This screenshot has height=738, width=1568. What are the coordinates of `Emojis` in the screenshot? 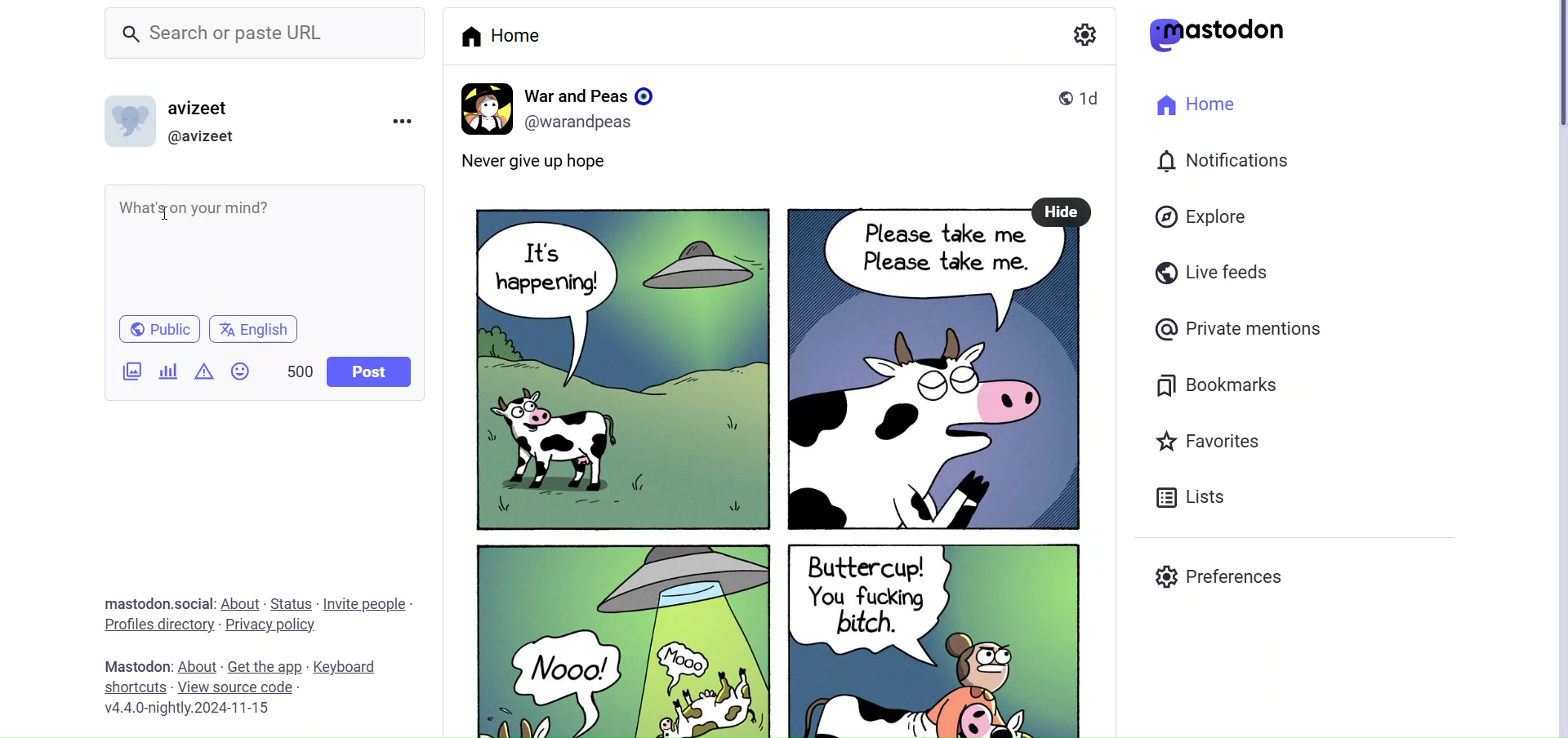 It's located at (239, 370).